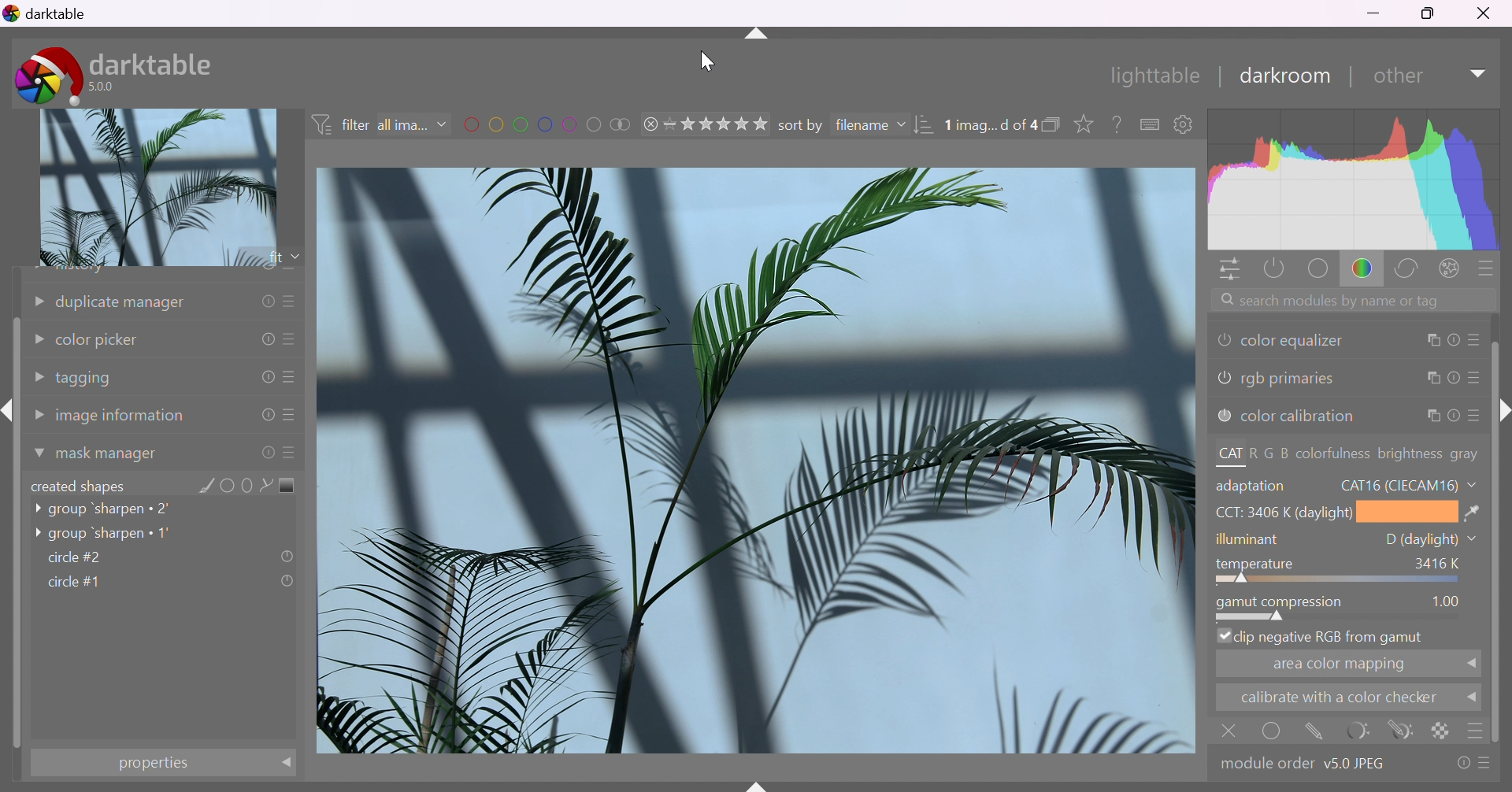 This screenshot has height=792, width=1512. Describe the element at coordinates (1184, 124) in the screenshot. I see `show global preference` at that location.